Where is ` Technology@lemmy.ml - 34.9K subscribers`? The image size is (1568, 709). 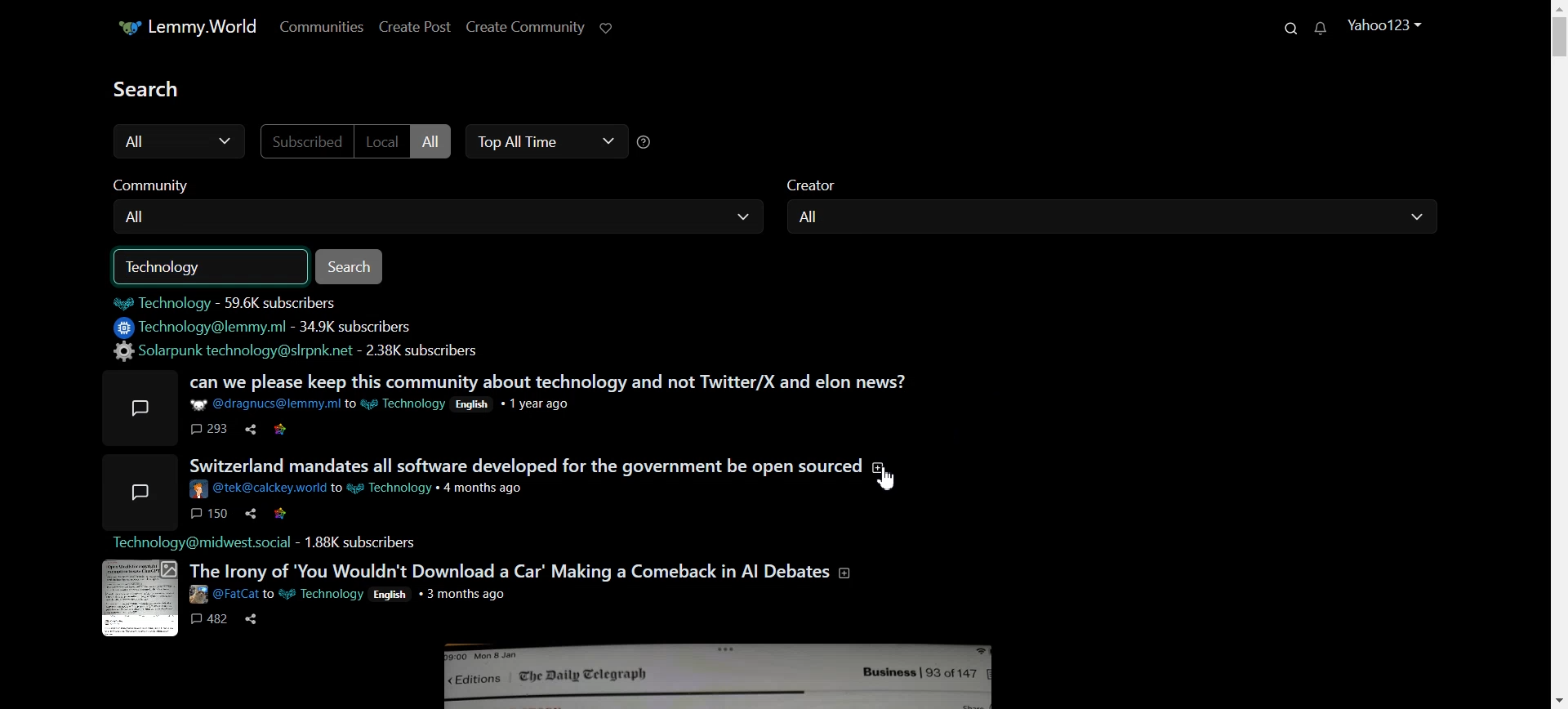
 Technology@lemmy.ml - 34.9K subscribers is located at coordinates (273, 328).